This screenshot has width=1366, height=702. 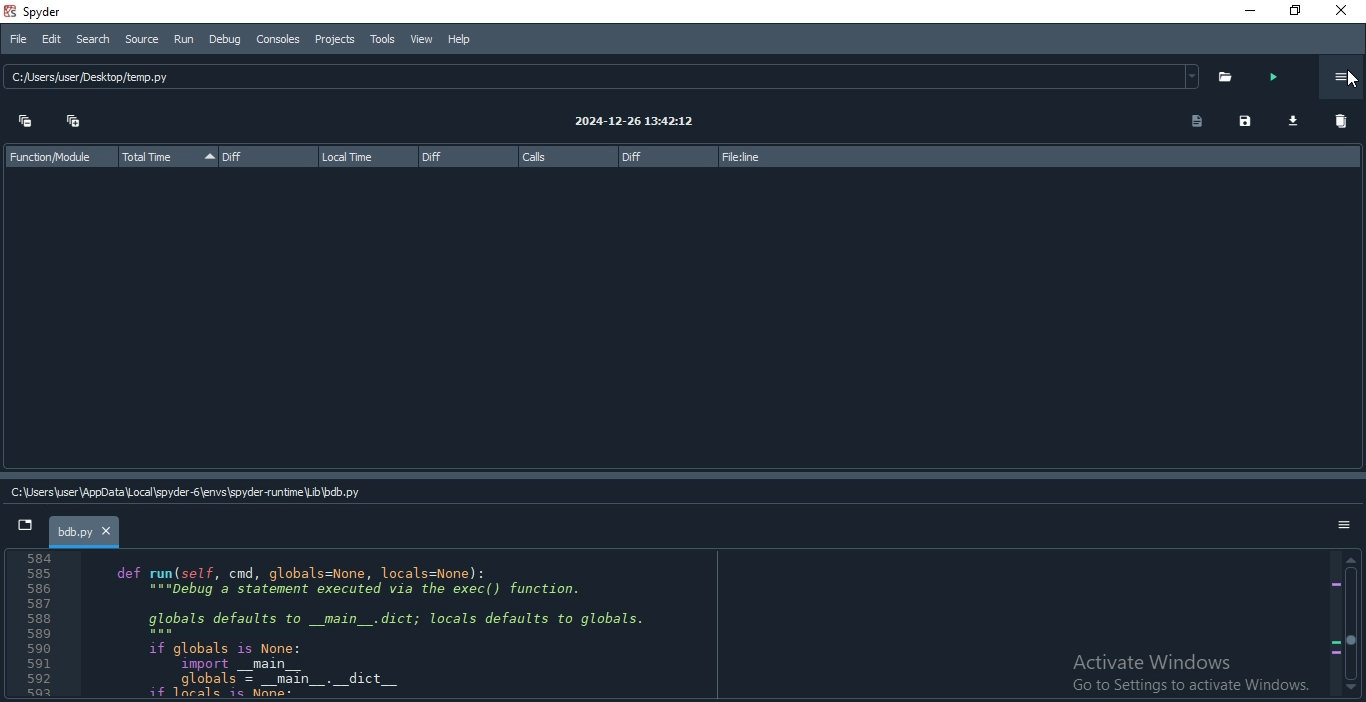 What do you see at coordinates (54, 155) in the screenshot?
I see `Function Module` at bounding box center [54, 155].